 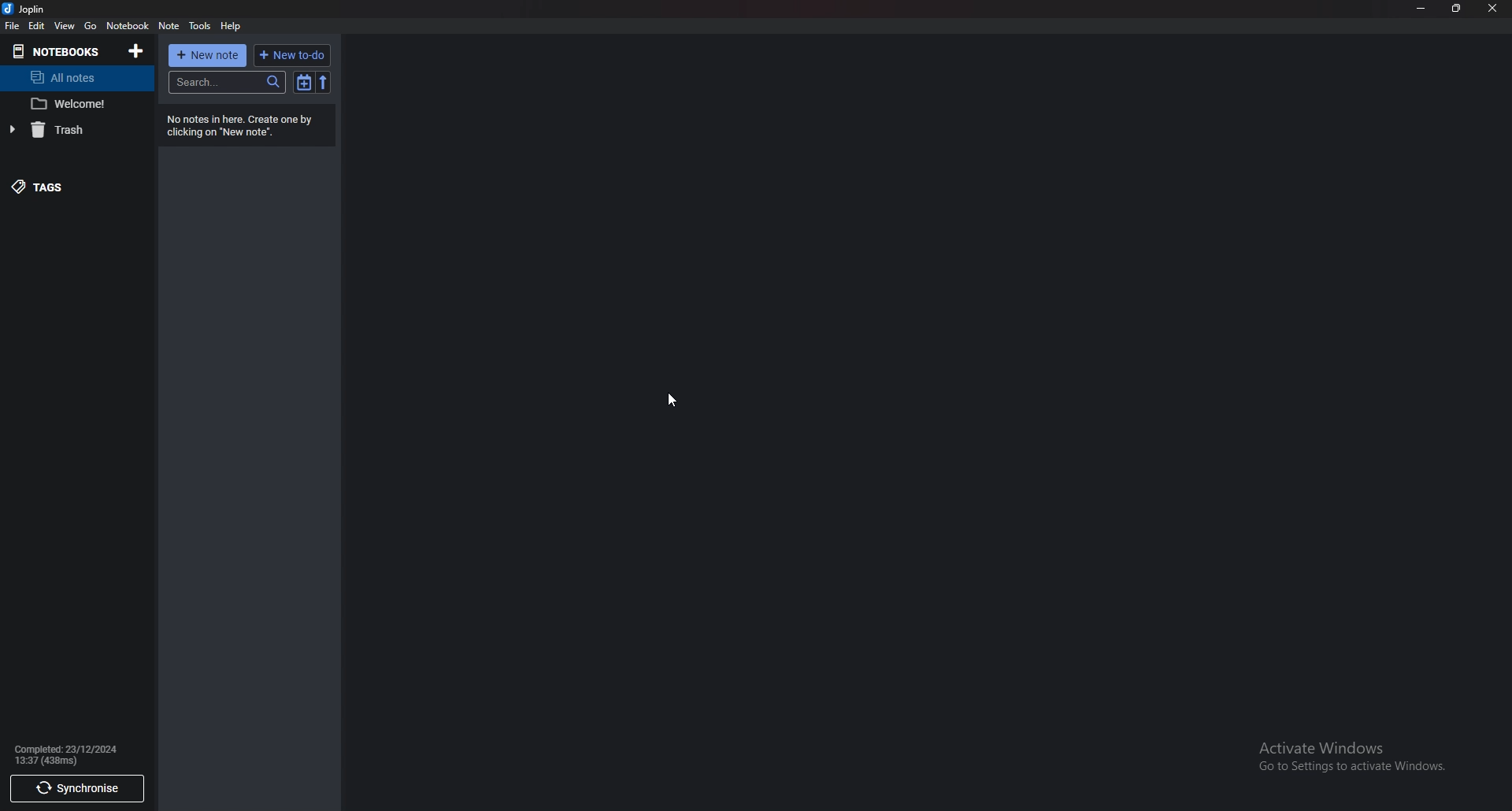 I want to click on All notes, so click(x=70, y=79).